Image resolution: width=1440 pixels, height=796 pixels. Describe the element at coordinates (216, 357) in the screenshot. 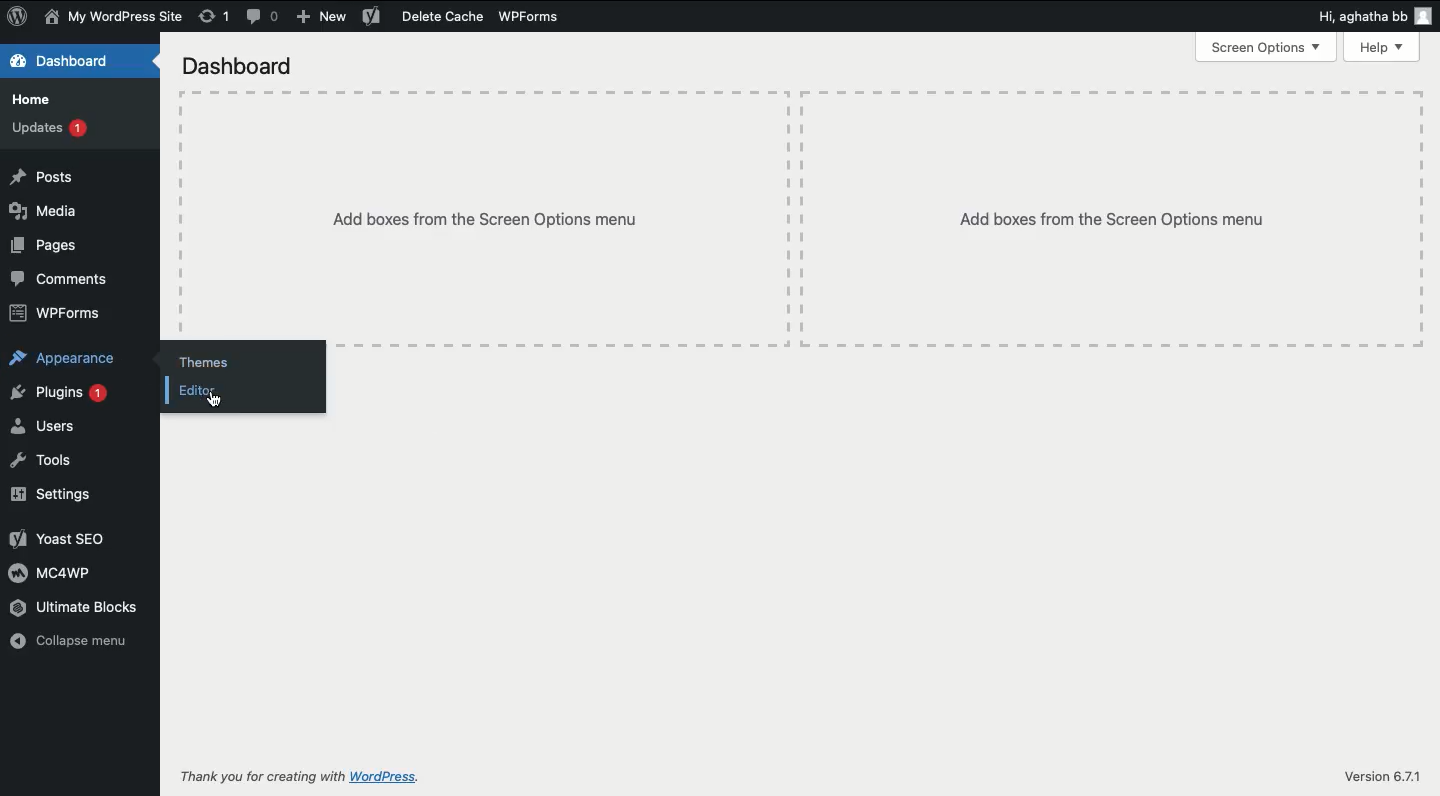

I see `Themes` at that location.